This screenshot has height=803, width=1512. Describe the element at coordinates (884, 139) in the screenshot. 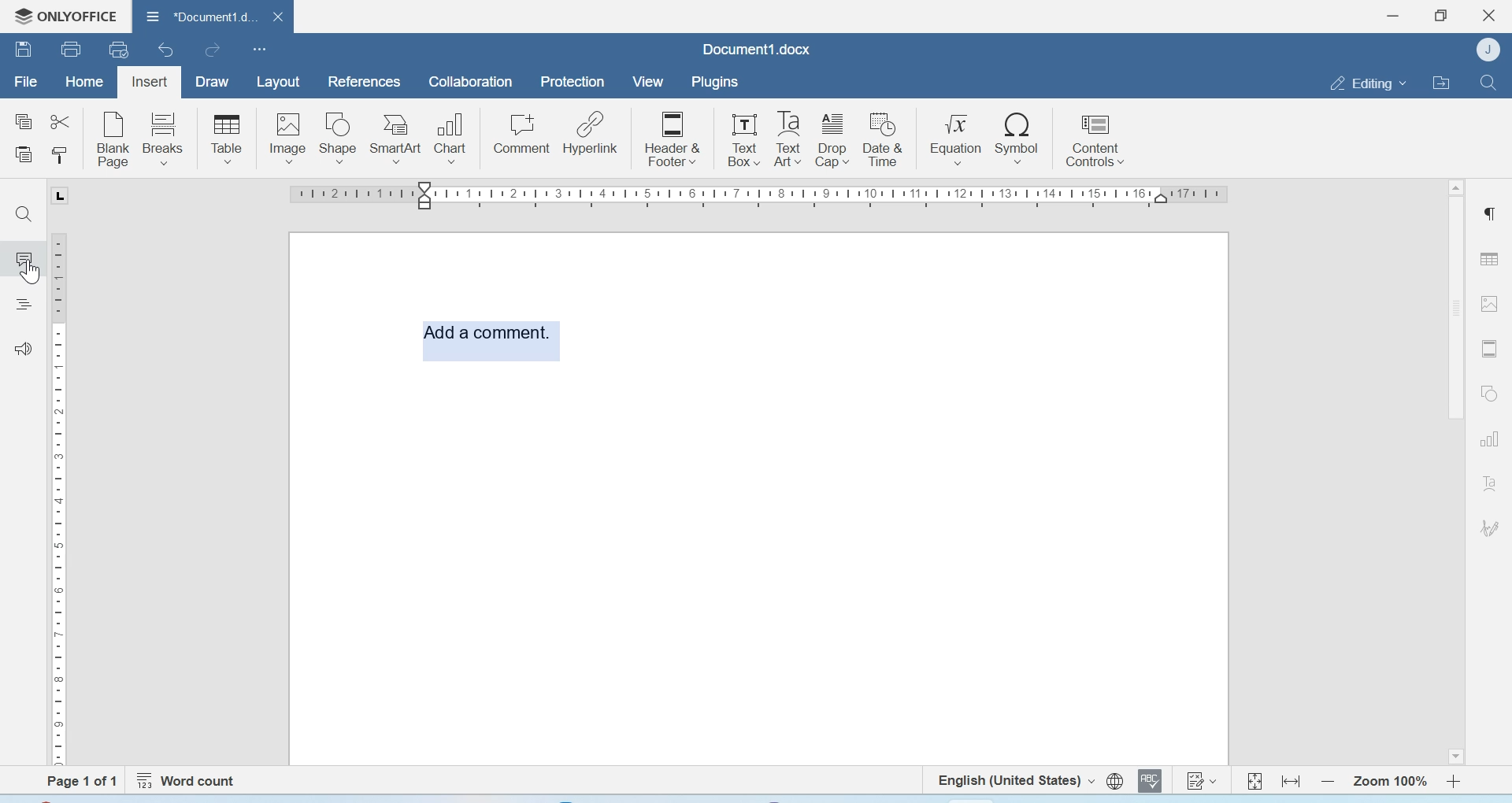

I see `Date & Time` at that location.